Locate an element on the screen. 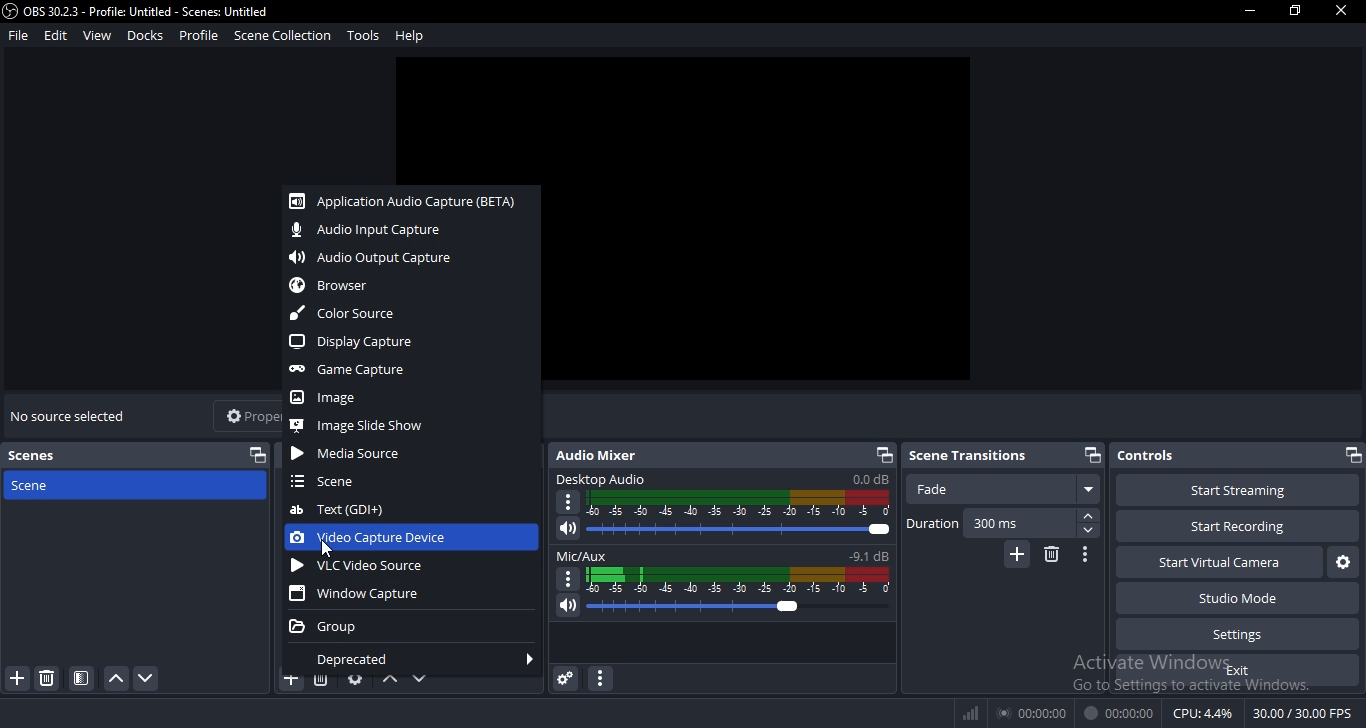  game capture is located at coordinates (364, 370).